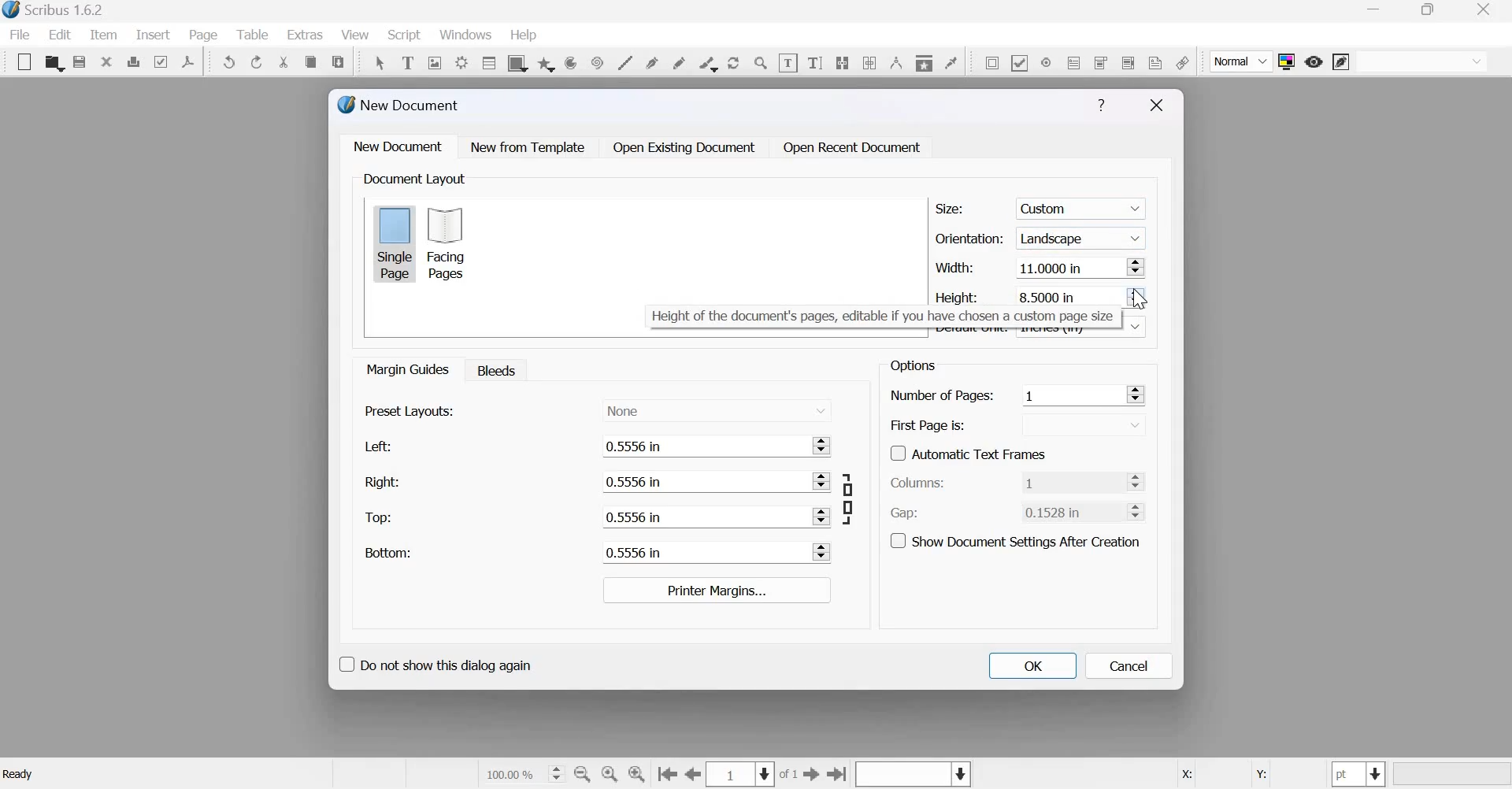  Describe the element at coordinates (461, 61) in the screenshot. I see `render frame` at that location.